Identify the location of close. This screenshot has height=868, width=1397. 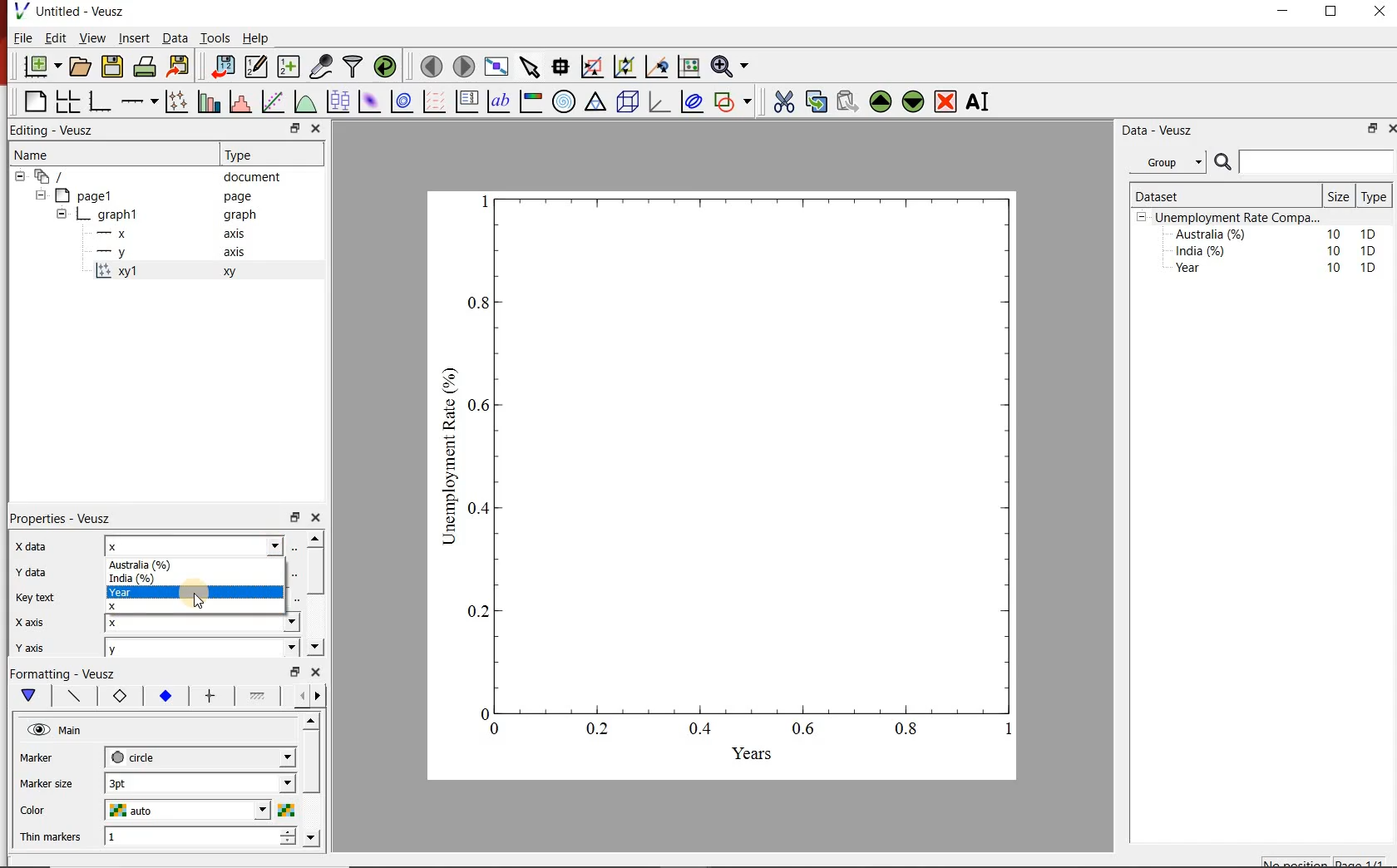
(317, 128).